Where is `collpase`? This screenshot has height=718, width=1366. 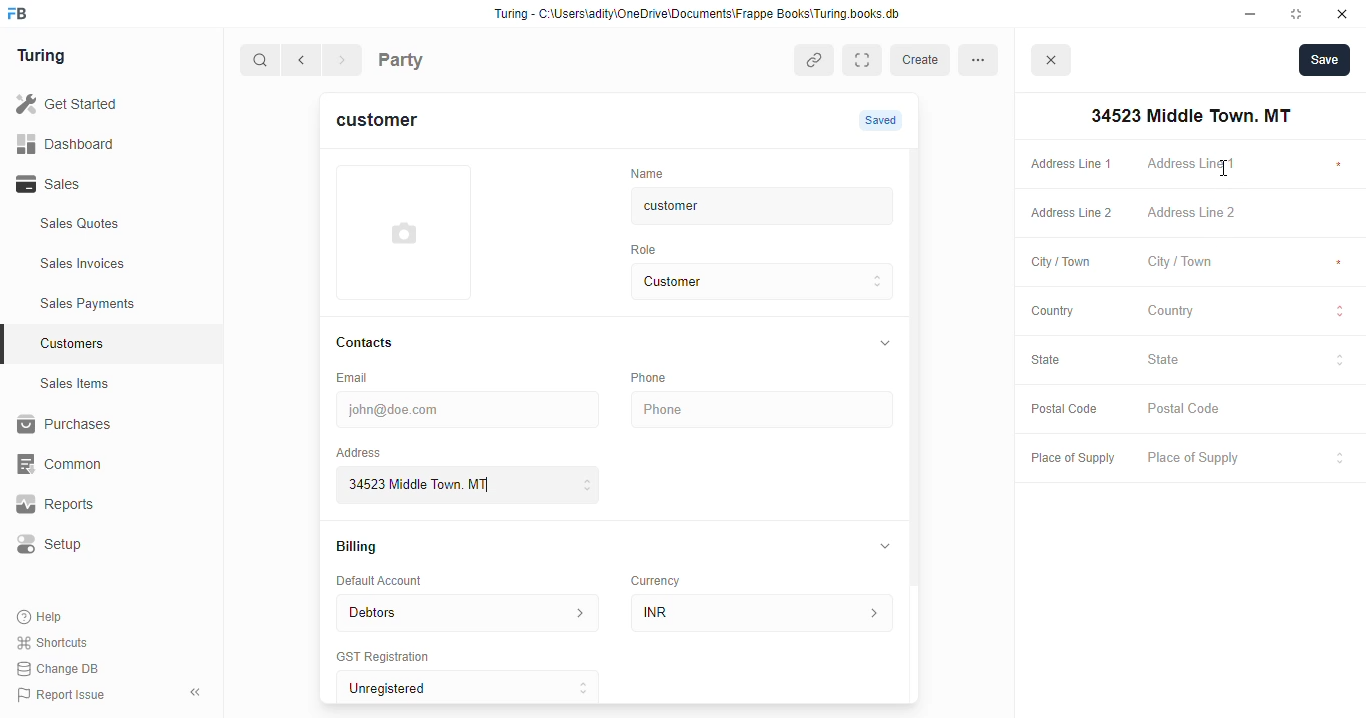 collpase is located at coordinates (195, 692).